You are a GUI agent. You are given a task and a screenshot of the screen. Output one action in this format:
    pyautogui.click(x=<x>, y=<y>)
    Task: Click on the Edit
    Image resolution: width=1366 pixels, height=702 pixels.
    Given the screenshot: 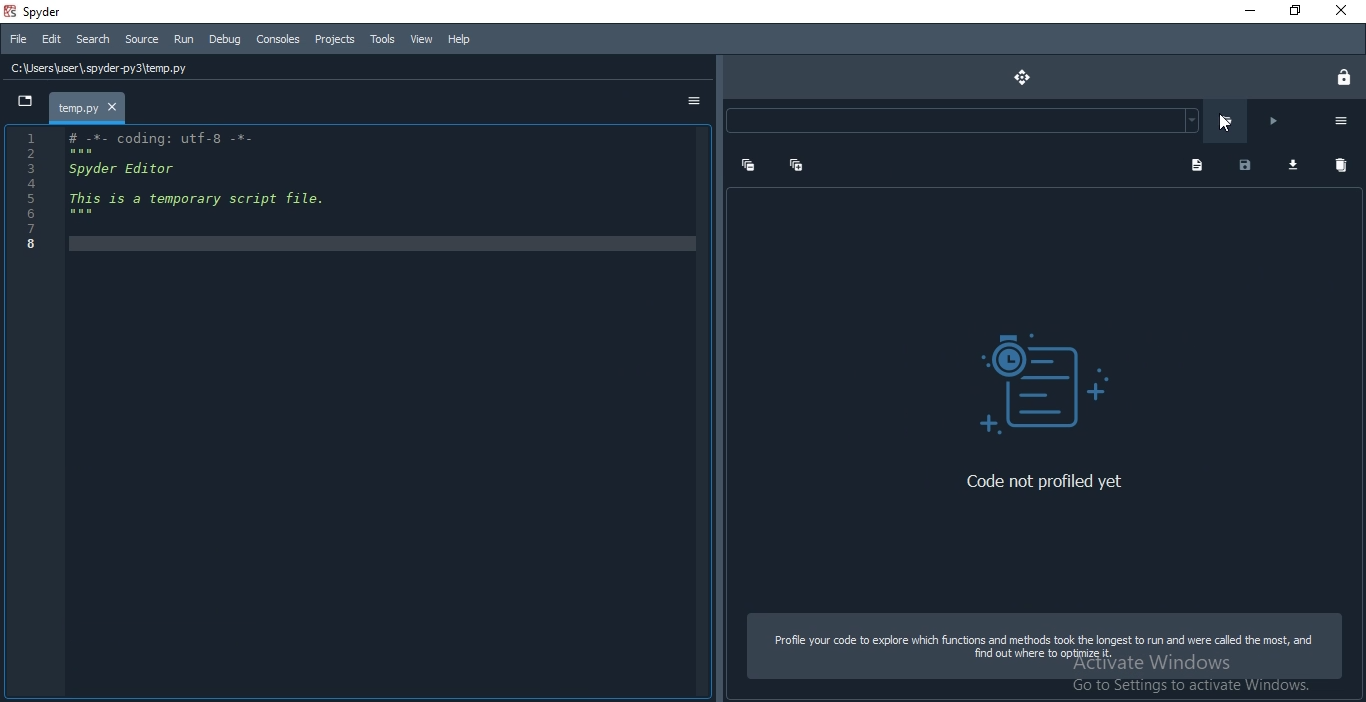 What is the action you would take?
    pyautogui.click(x=50, y=38)
    